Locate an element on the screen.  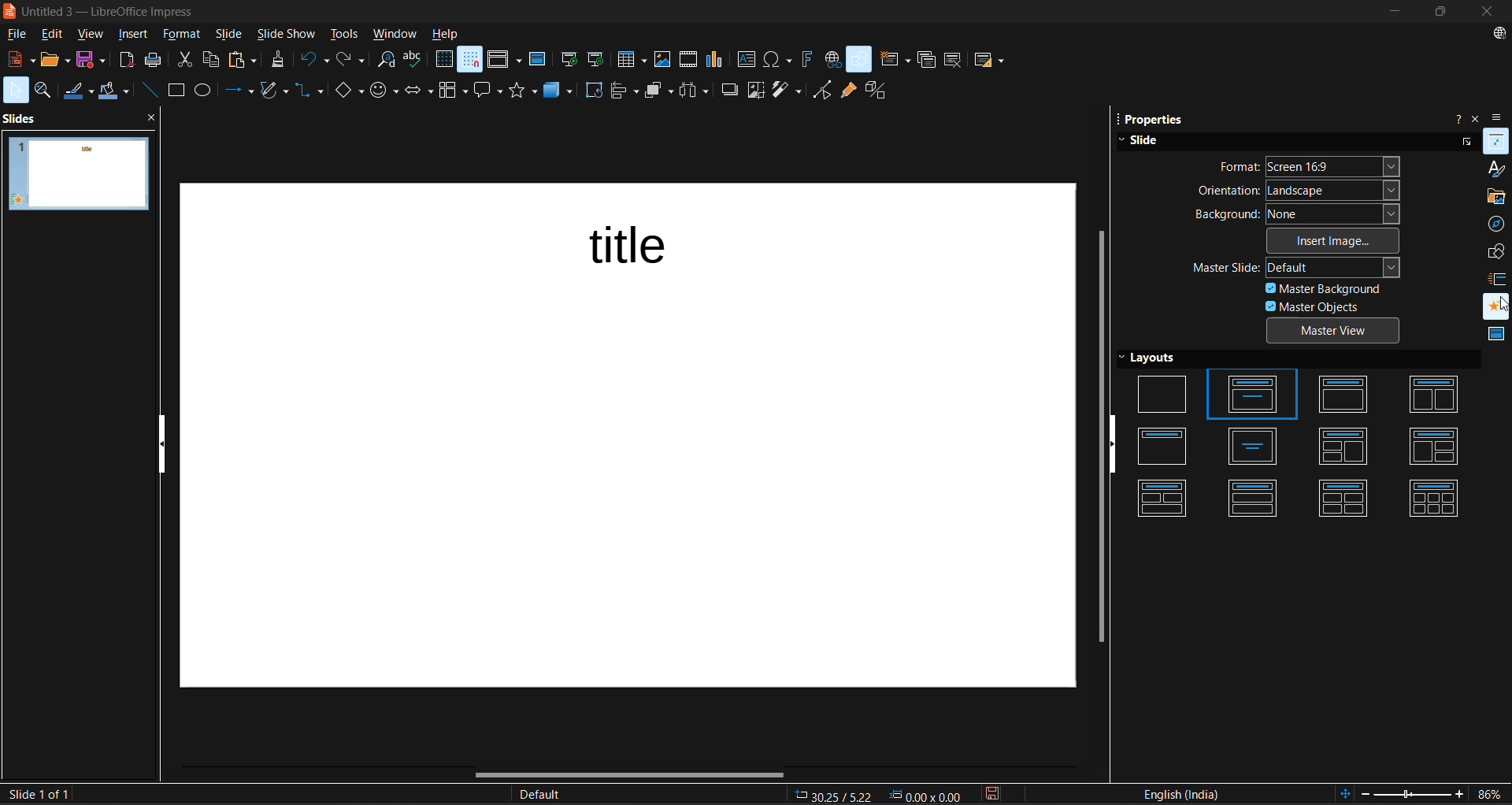
layouts is located at coordinates (1156, 359).